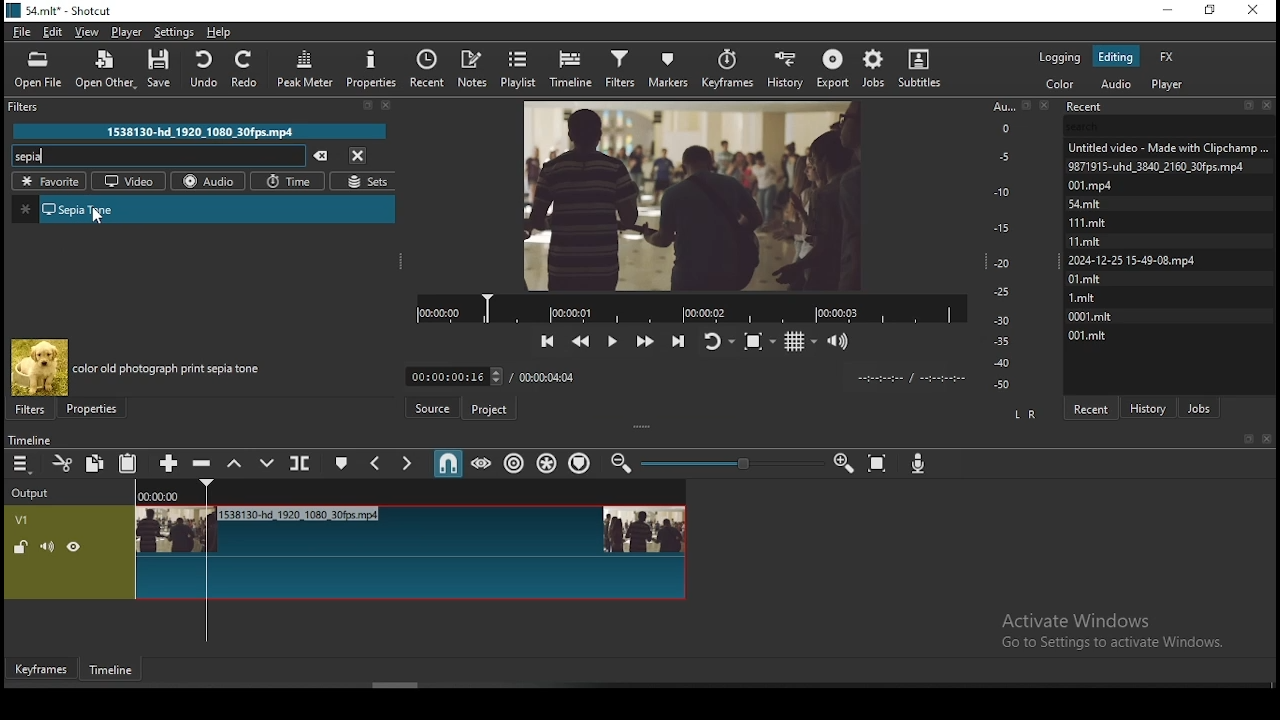  I want to click on videos, so click(128, 182).